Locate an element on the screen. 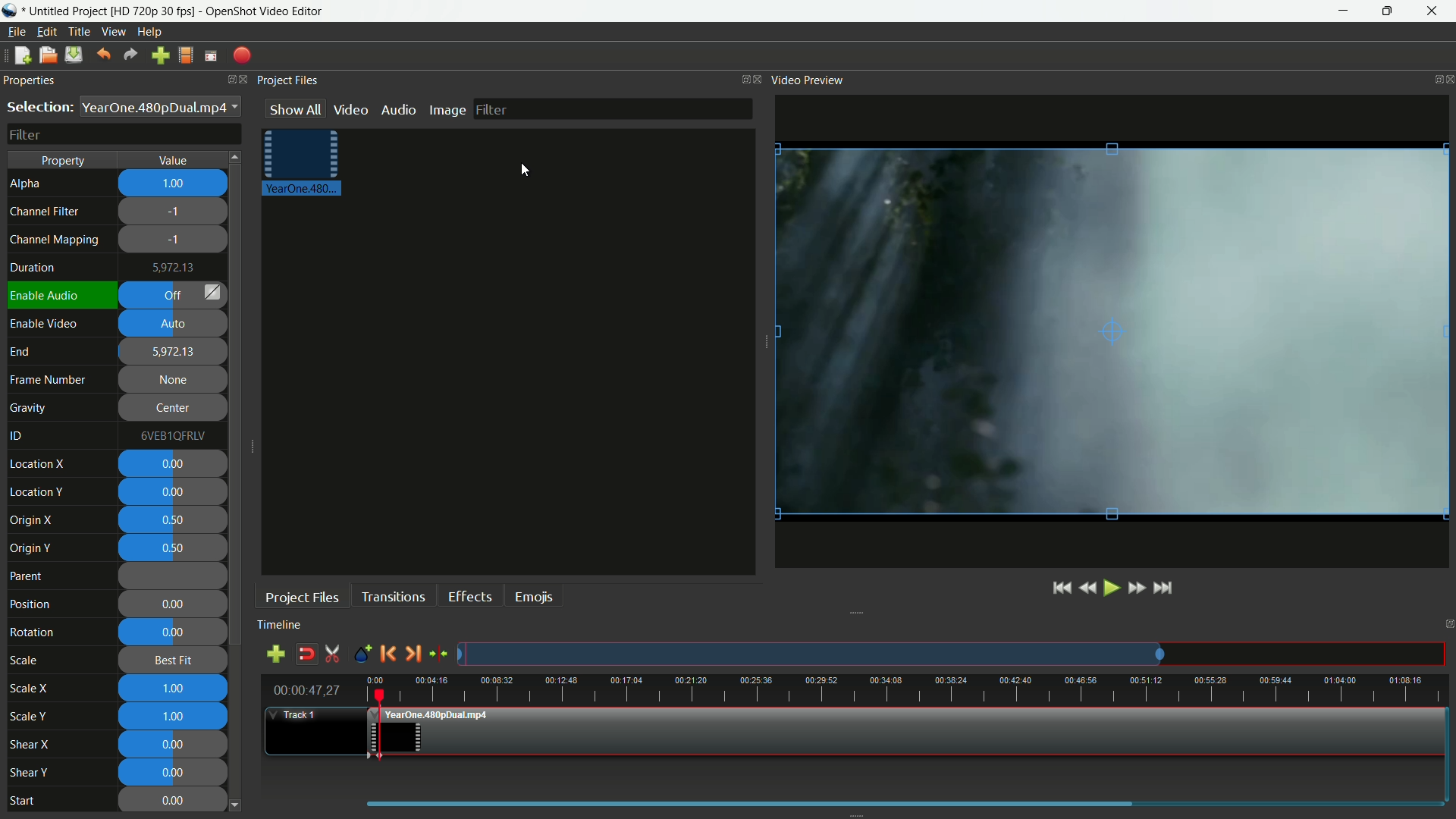 The image size is (1456, 819). scale y is located at coordinates (31, 717).